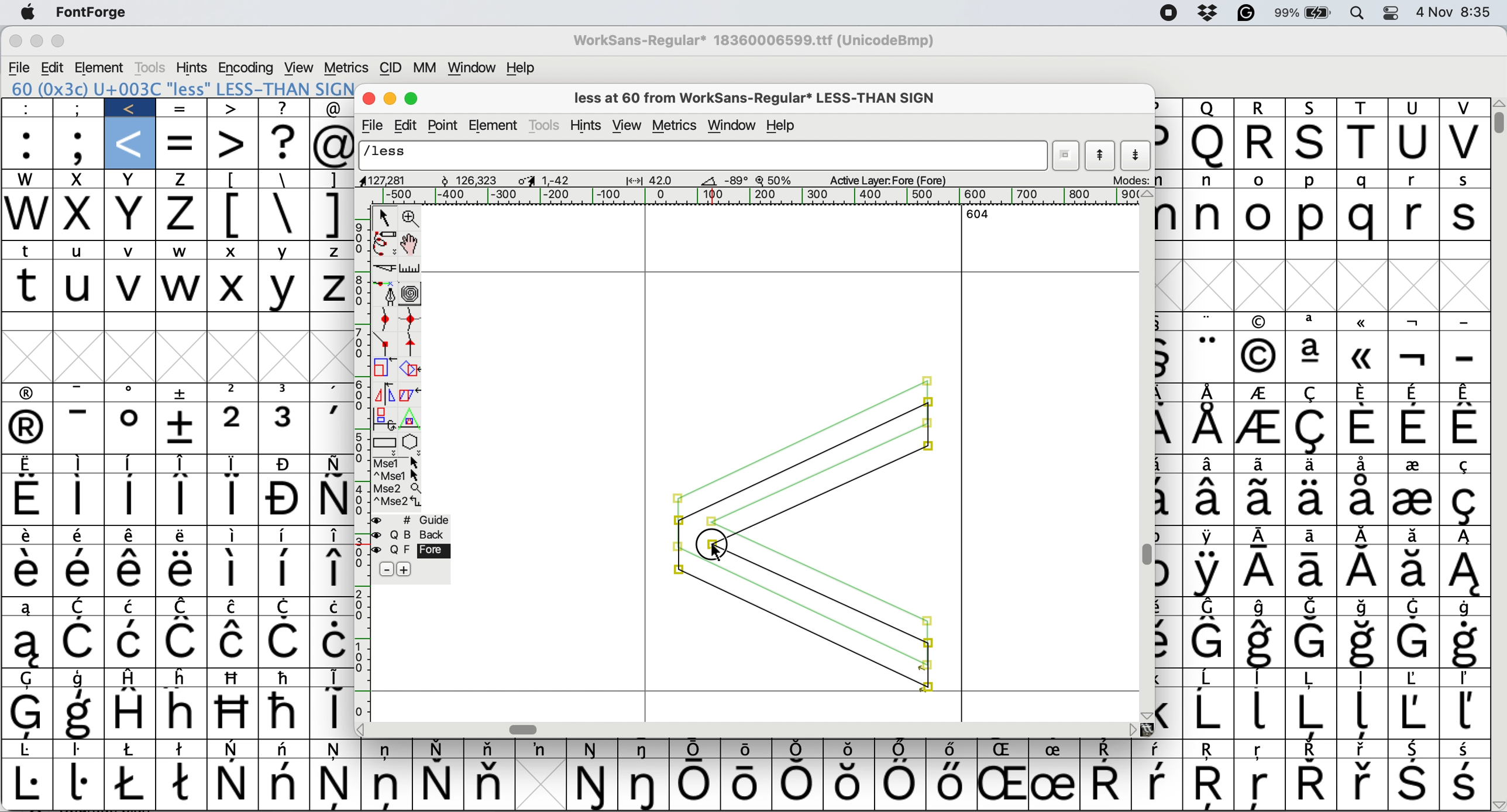 This screenshot has width=1507, height=812. What do you see at coordinates (54, 67) in the screenshot?
I see `edit` at bounding box center [54, 67].